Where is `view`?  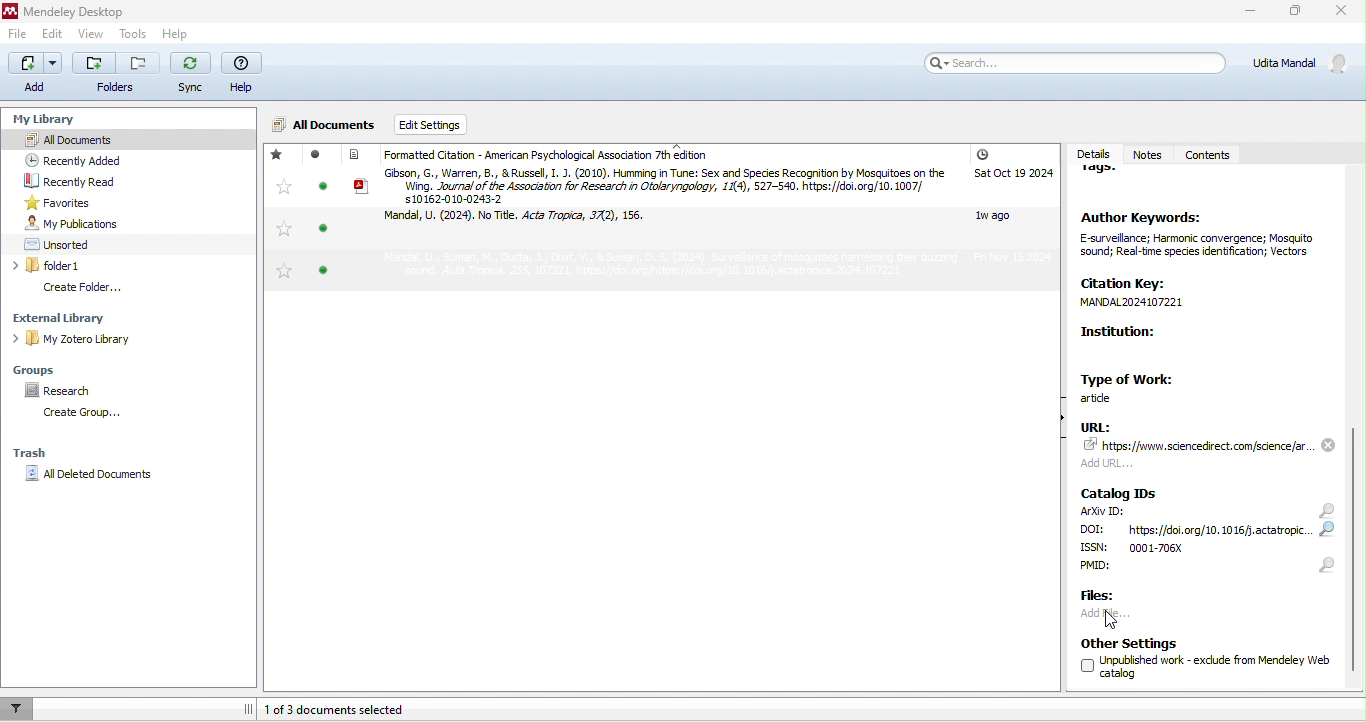
view is located at coordinates (88, 36).